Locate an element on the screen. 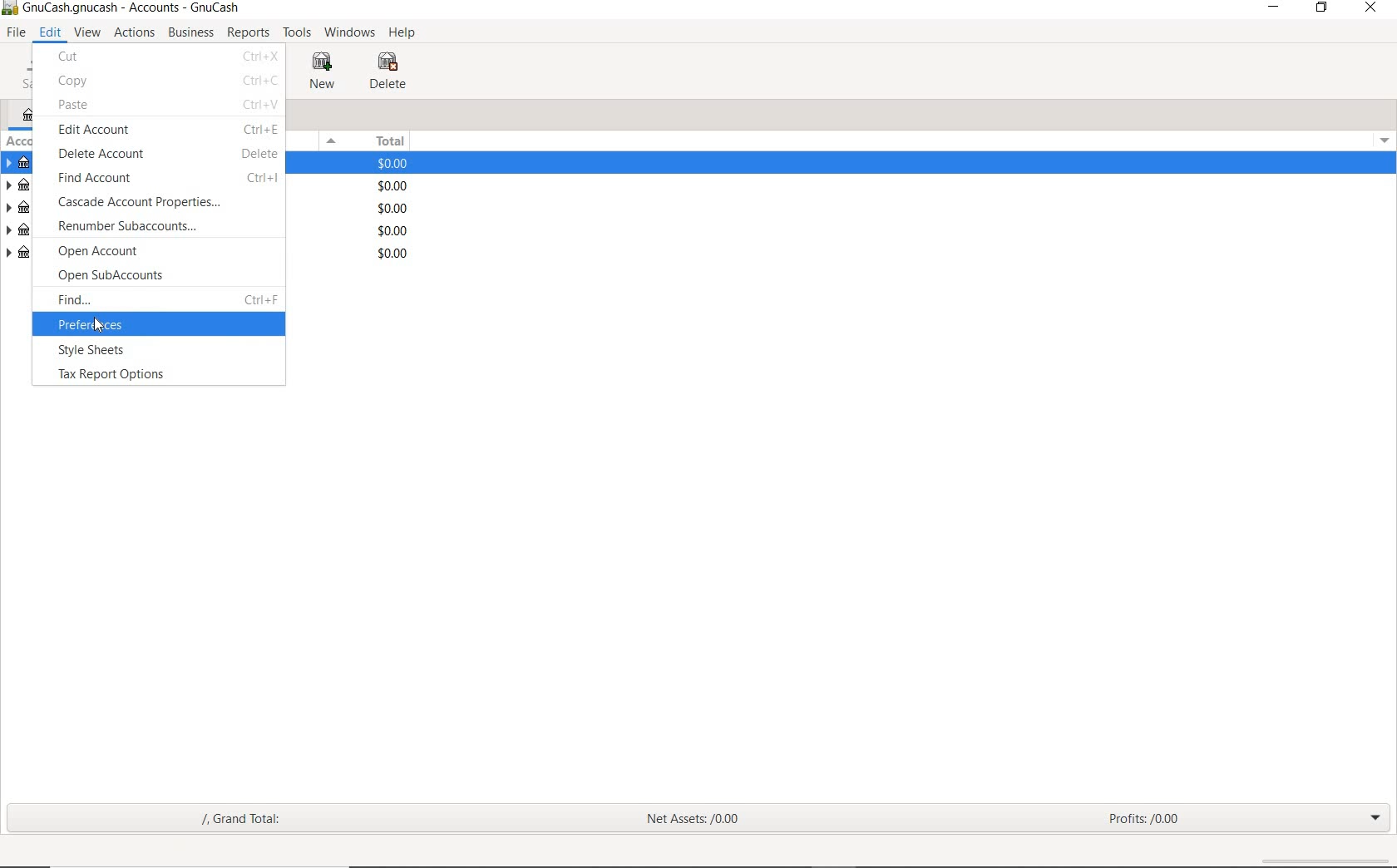 The height and width of the screenshot is (868, 1397).  is located at coordinates (394, 185).